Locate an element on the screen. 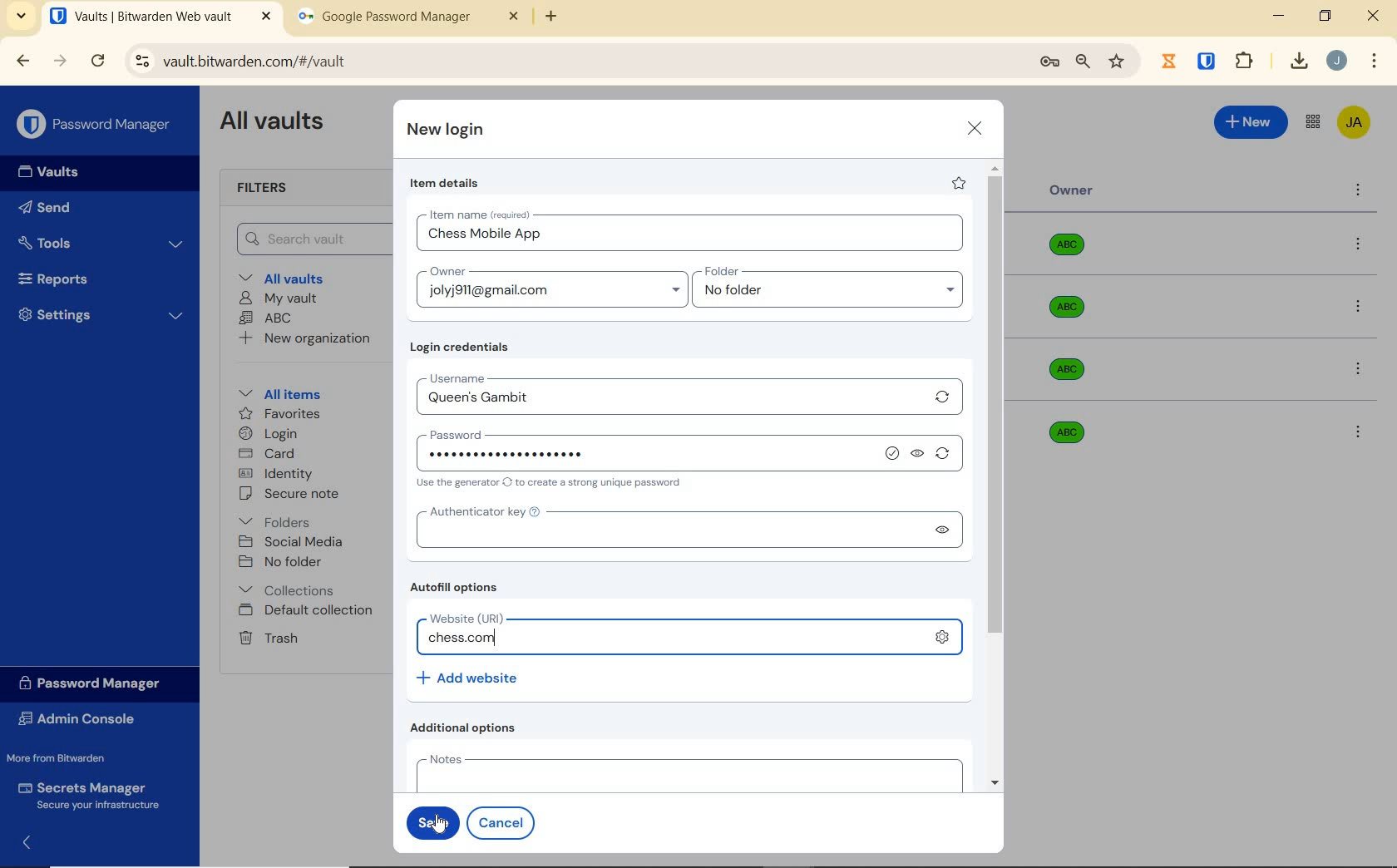 The image size is (1397, 868). more option is located at coordinates (1359, 191).